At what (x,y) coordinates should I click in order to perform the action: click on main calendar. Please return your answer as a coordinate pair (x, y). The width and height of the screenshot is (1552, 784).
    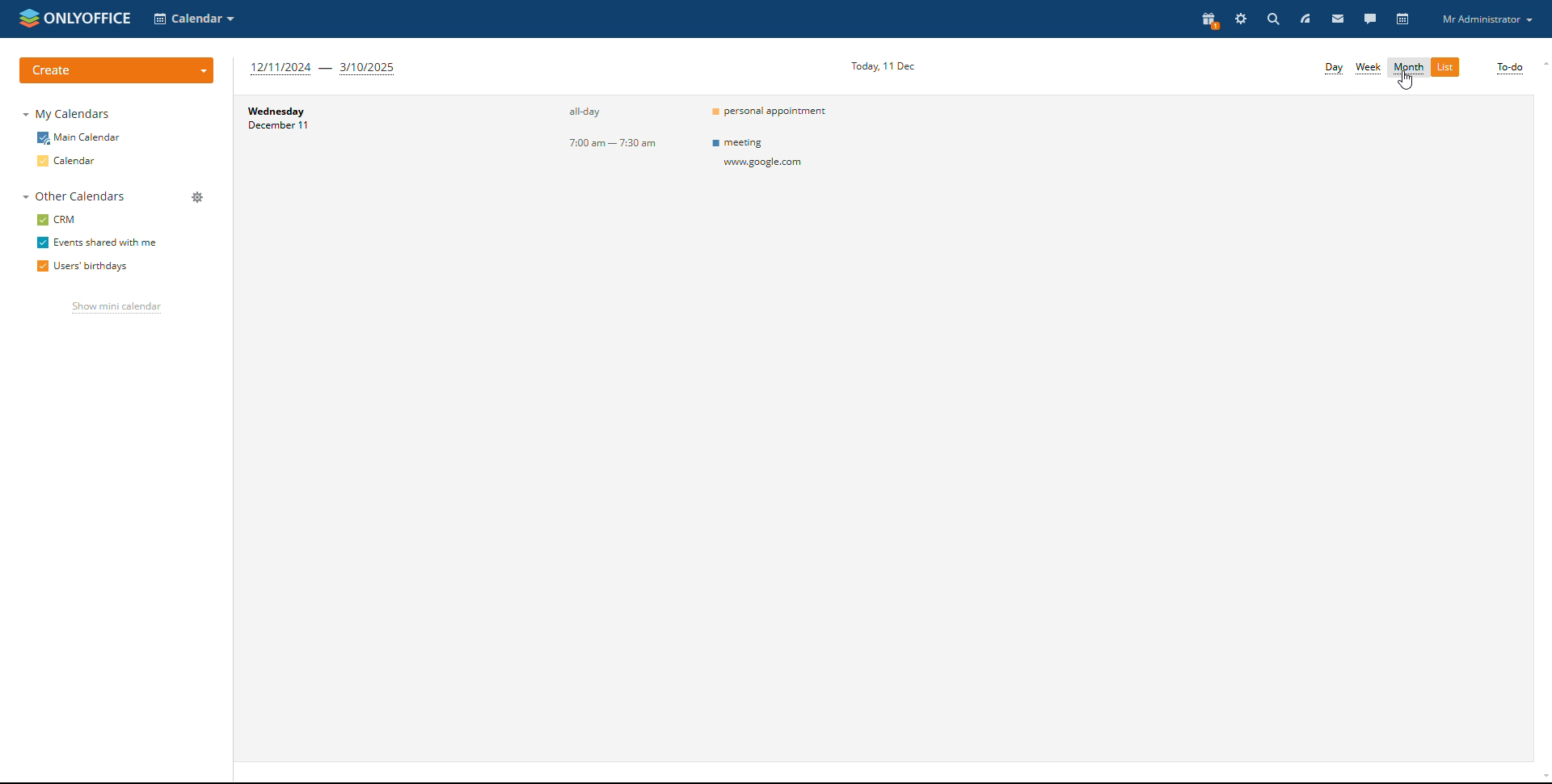
    Looking at the image, I should click on (78, 138).